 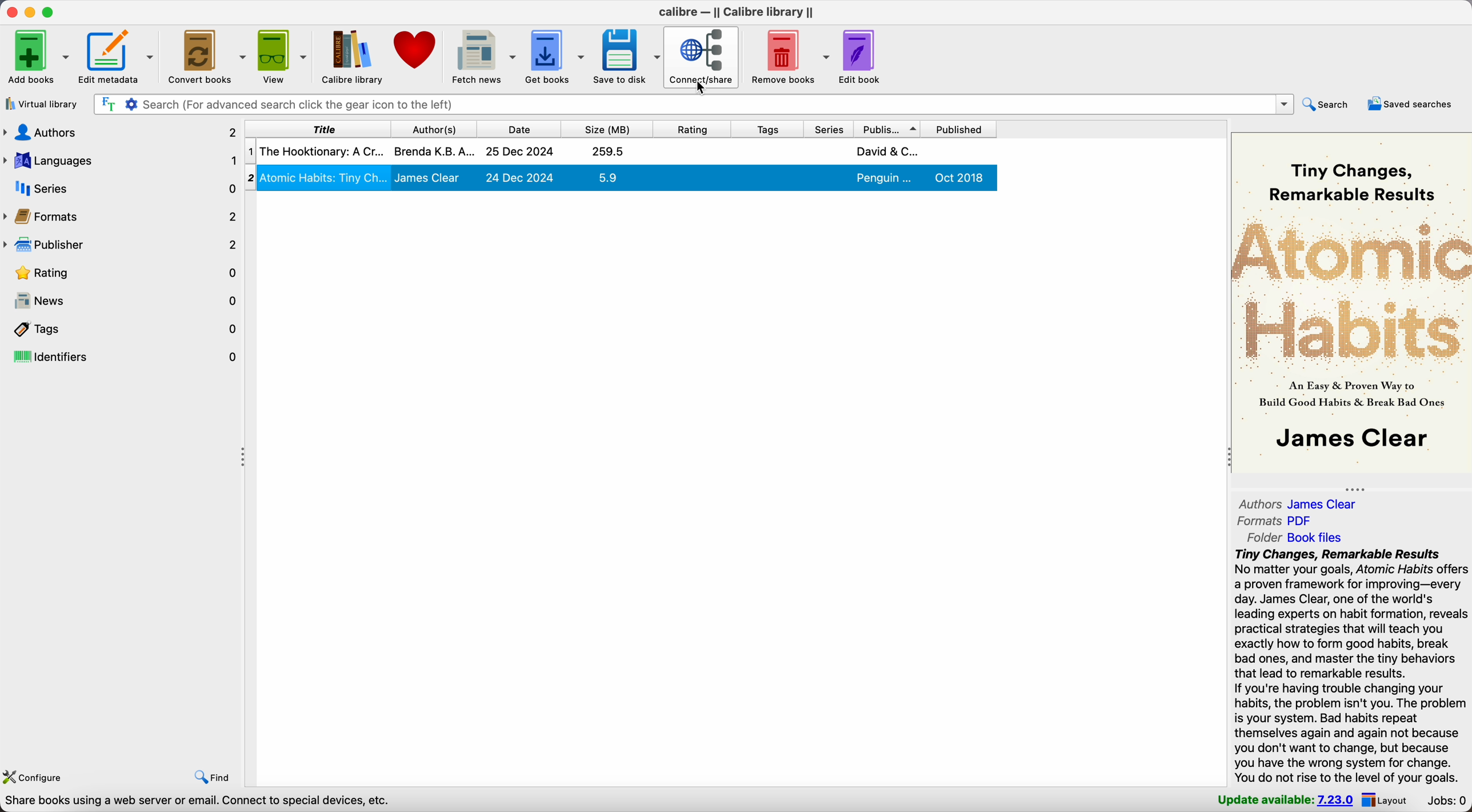 I want to click on formats, so click(x=122, y=216).